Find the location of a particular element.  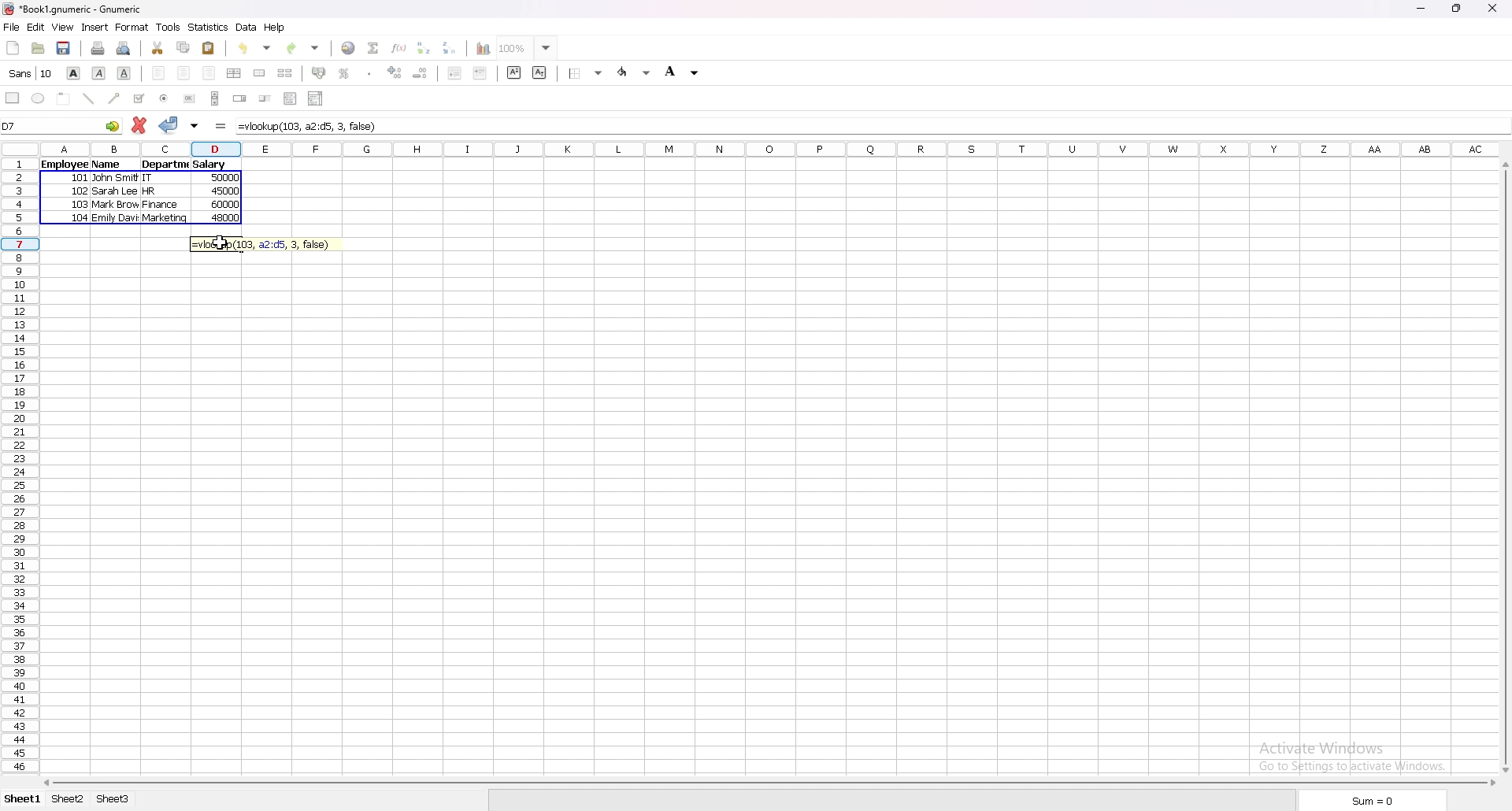

print is located at coordinates (99, 48).